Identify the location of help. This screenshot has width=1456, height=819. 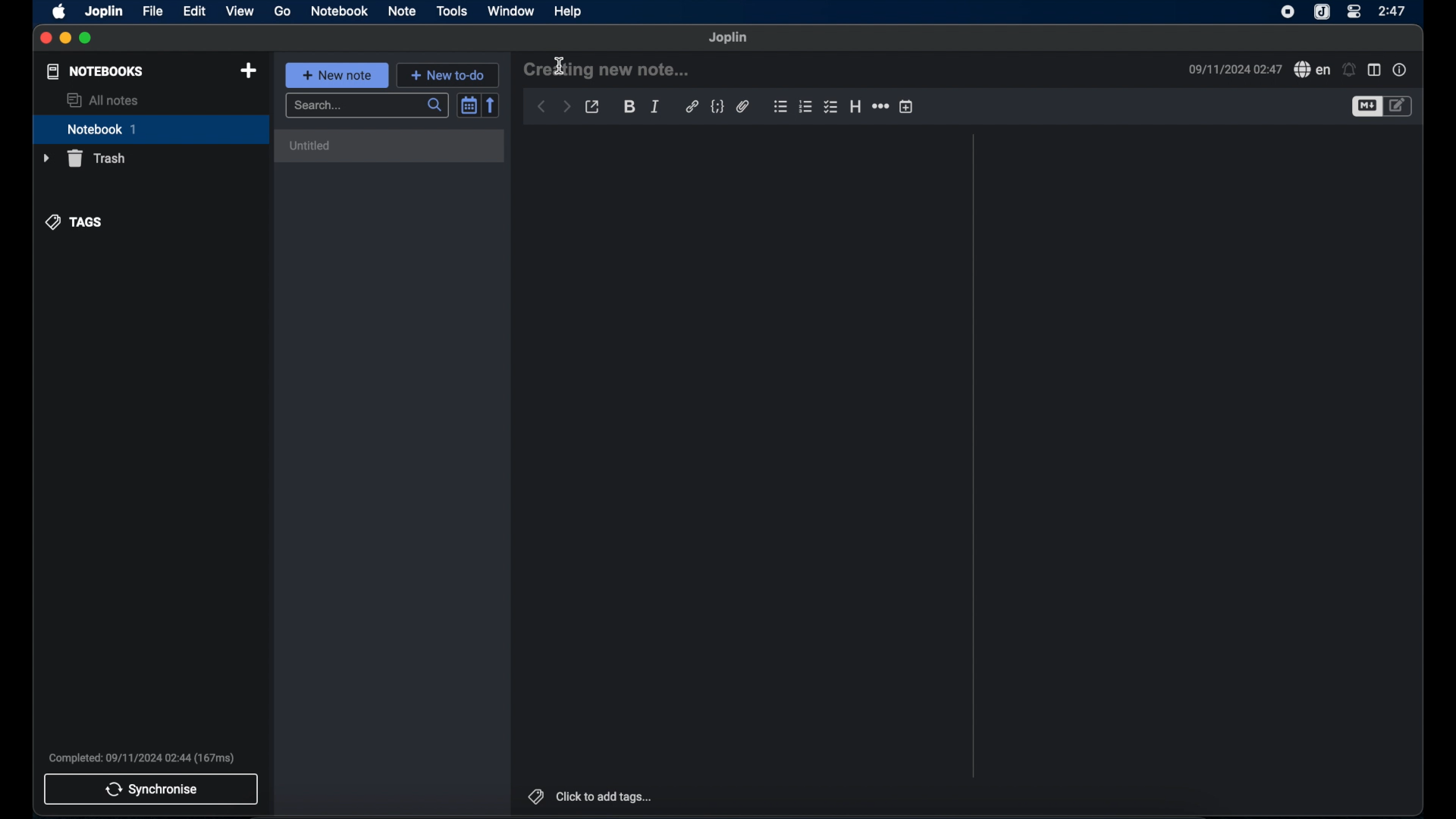
(568, 12).